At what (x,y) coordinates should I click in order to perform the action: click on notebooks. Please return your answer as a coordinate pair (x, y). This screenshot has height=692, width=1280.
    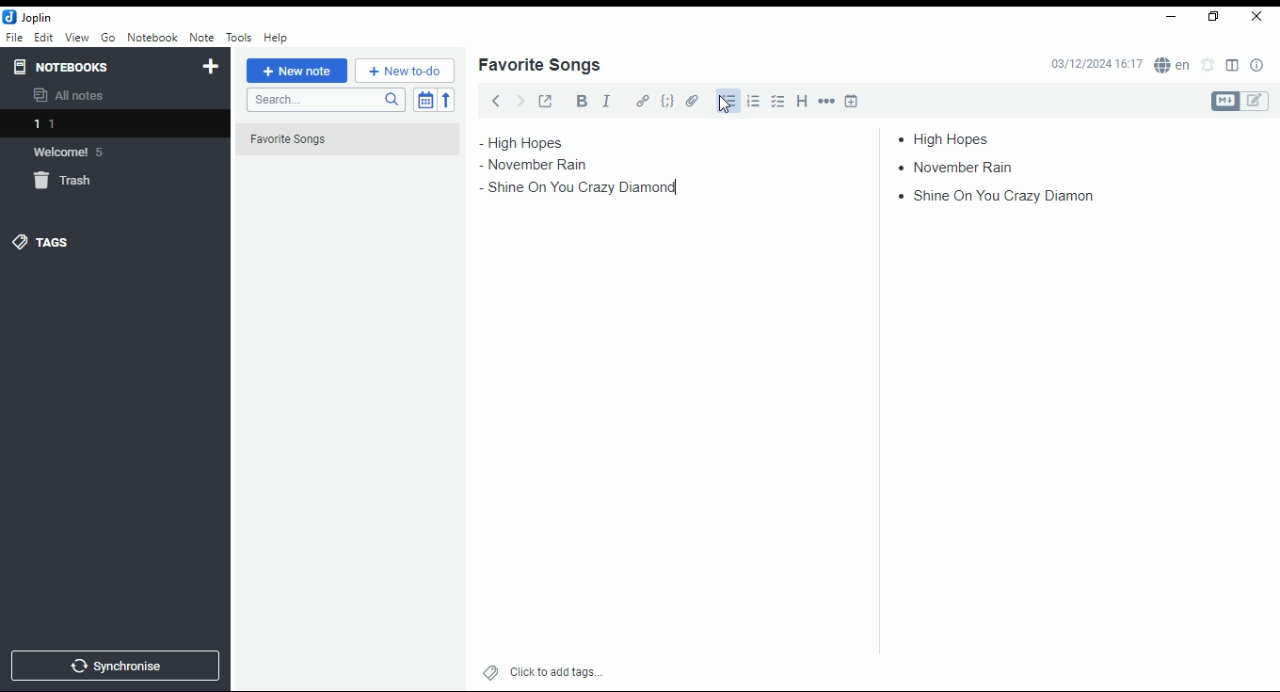
    Looking at the image, I should click on (97, 66).